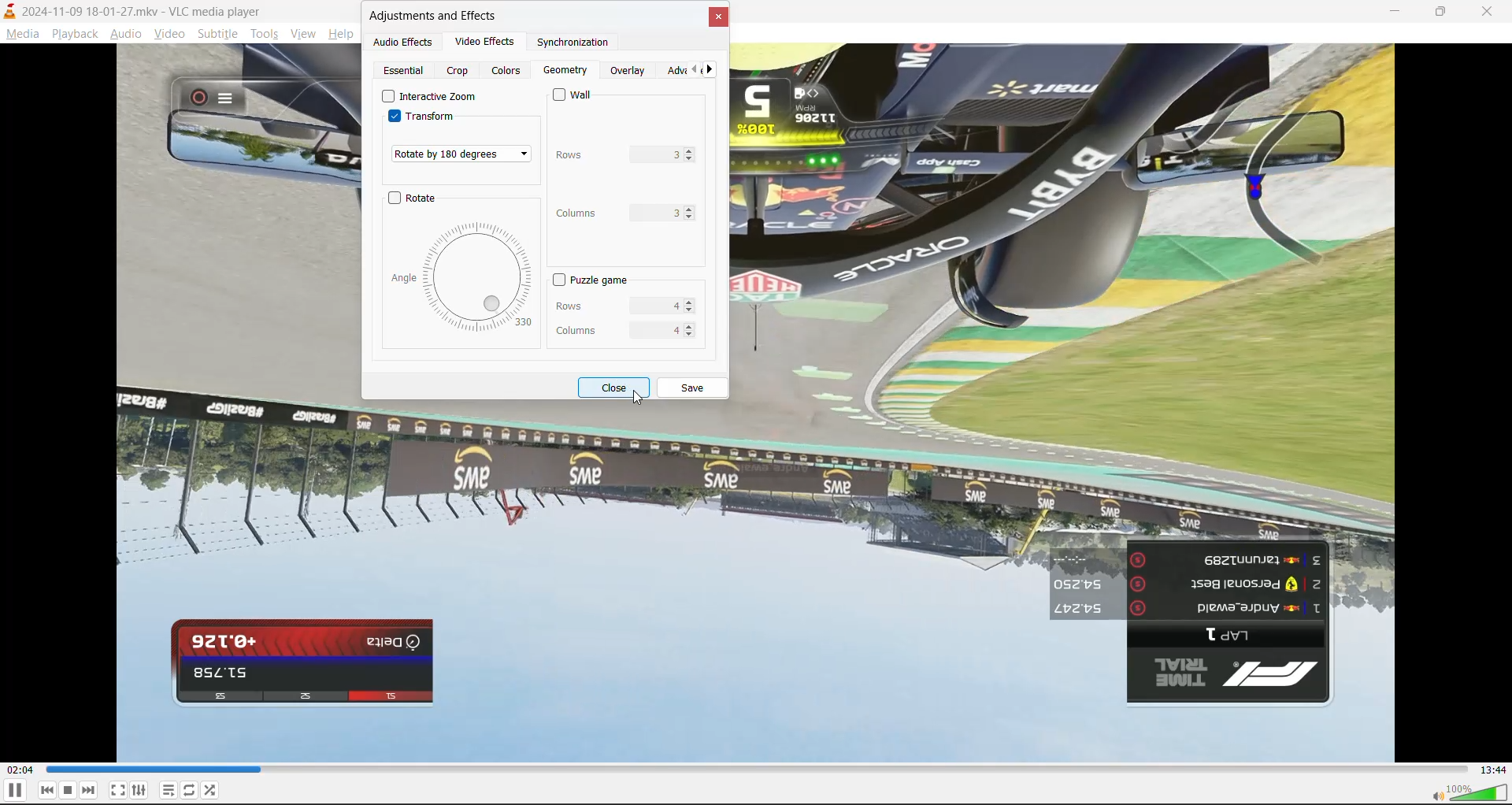 This screenshot has height=805, width=1512. What do you see at coordinates (211, 789) in the screenshot?
I see `random` at bounding box center [211, 789].